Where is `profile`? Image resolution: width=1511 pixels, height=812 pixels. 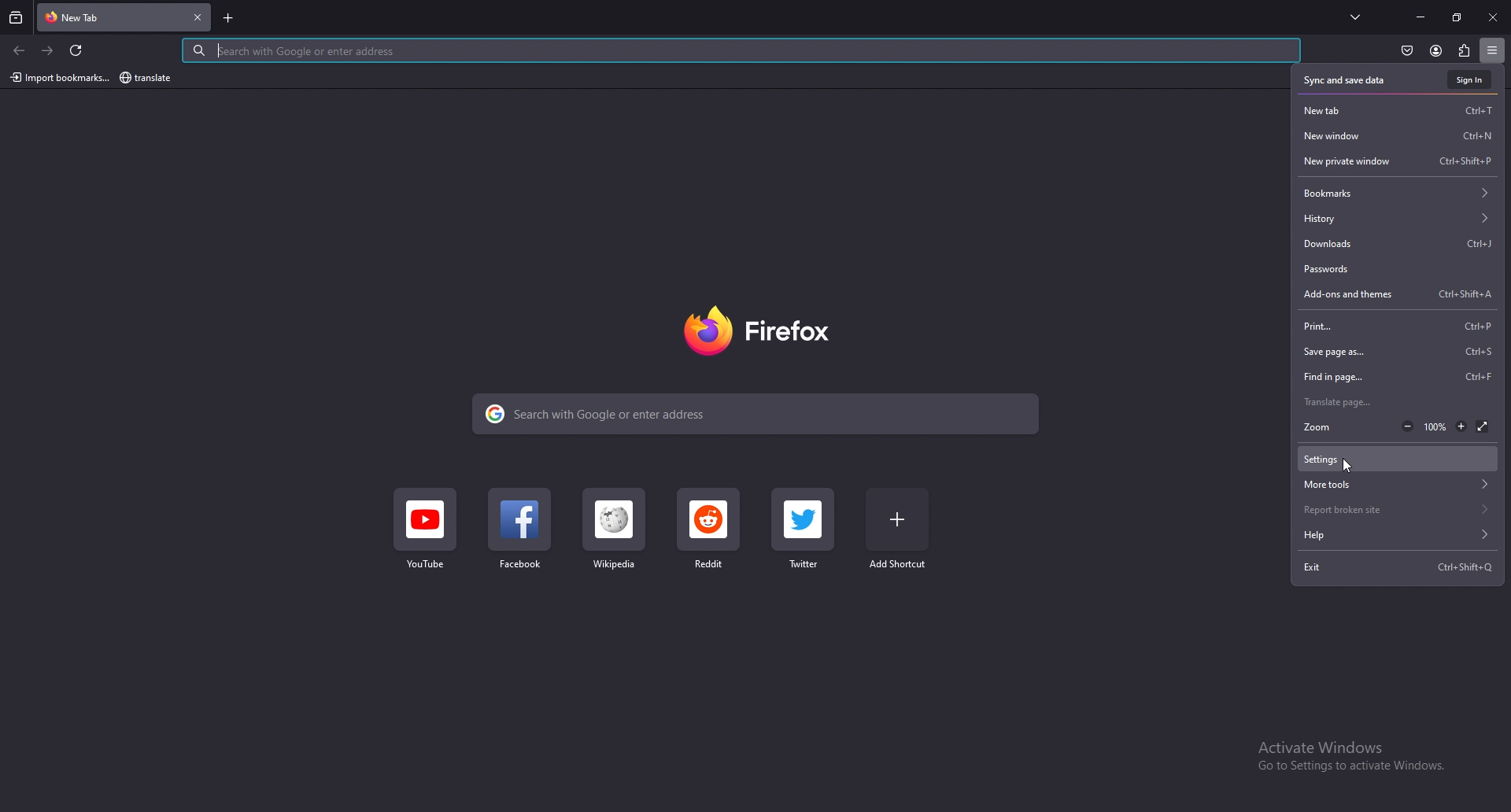
profile is located at coordinates (1436, 52).